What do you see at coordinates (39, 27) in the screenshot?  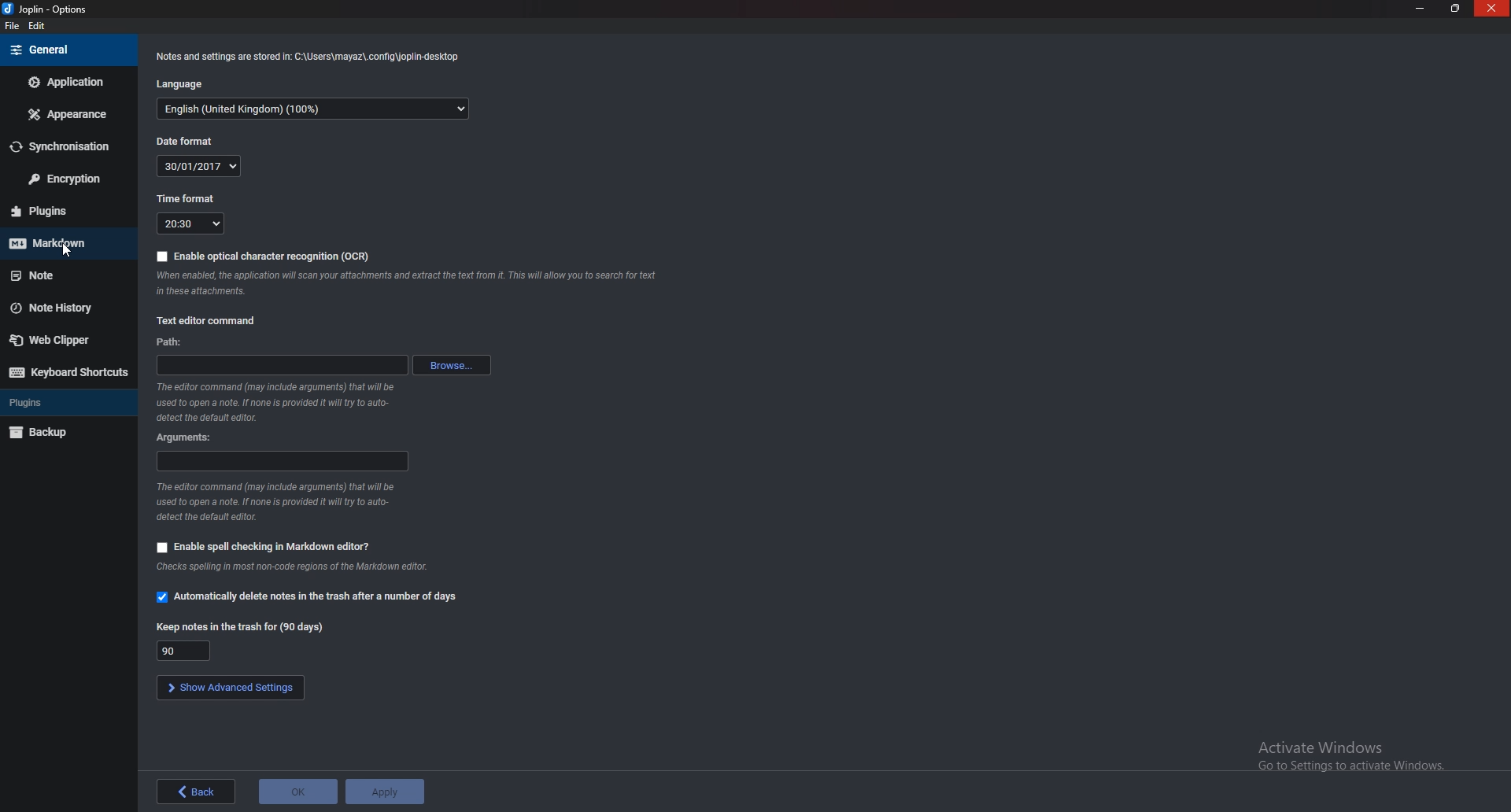 I see `edit` at bounding box center [39, 27].